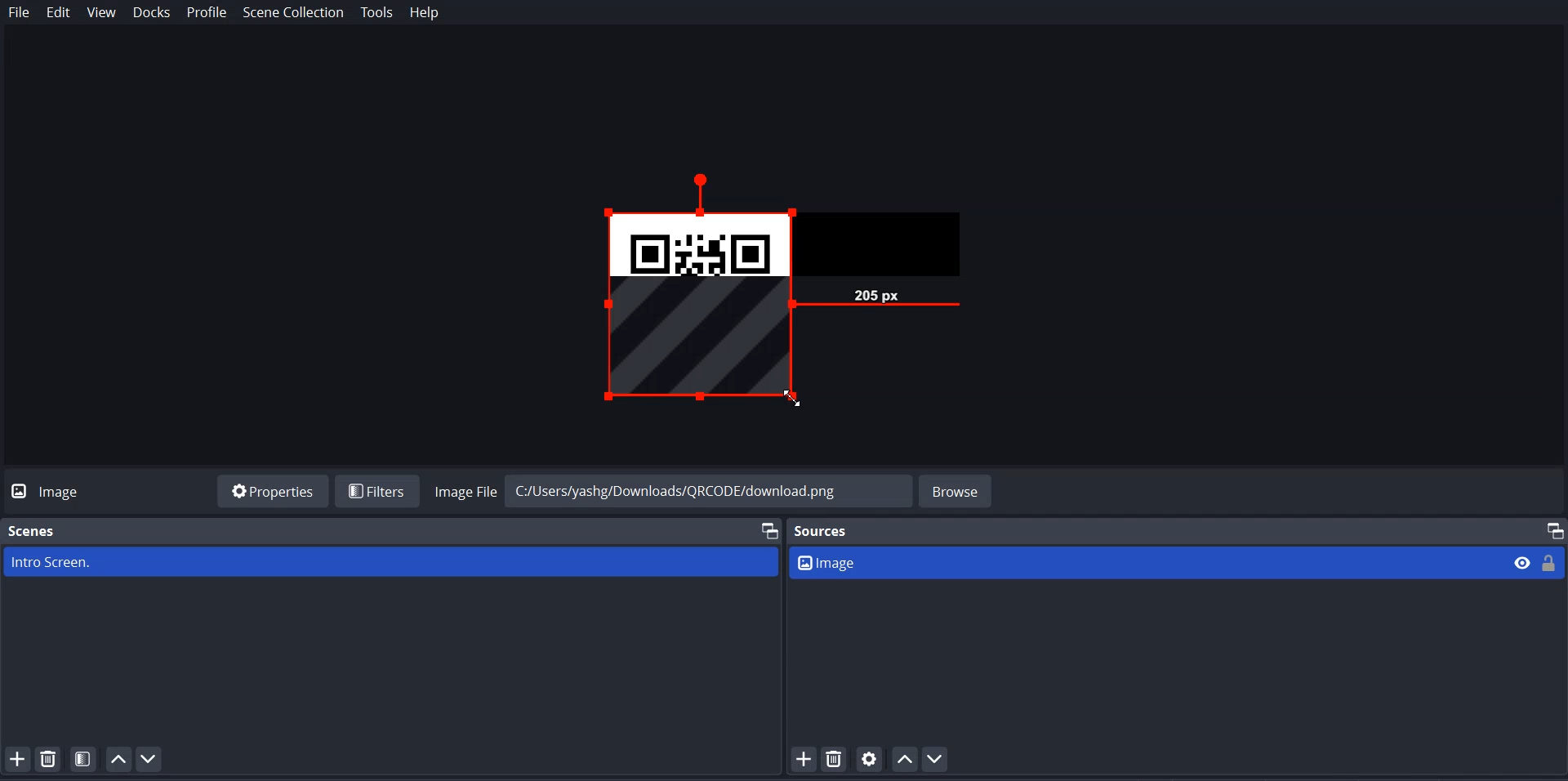 The height and width of the screenshot is (781, 1568). What do you see at coordinates (59, 13) in the screenshot?
I see `Edit` at bounding box center [59, 13].